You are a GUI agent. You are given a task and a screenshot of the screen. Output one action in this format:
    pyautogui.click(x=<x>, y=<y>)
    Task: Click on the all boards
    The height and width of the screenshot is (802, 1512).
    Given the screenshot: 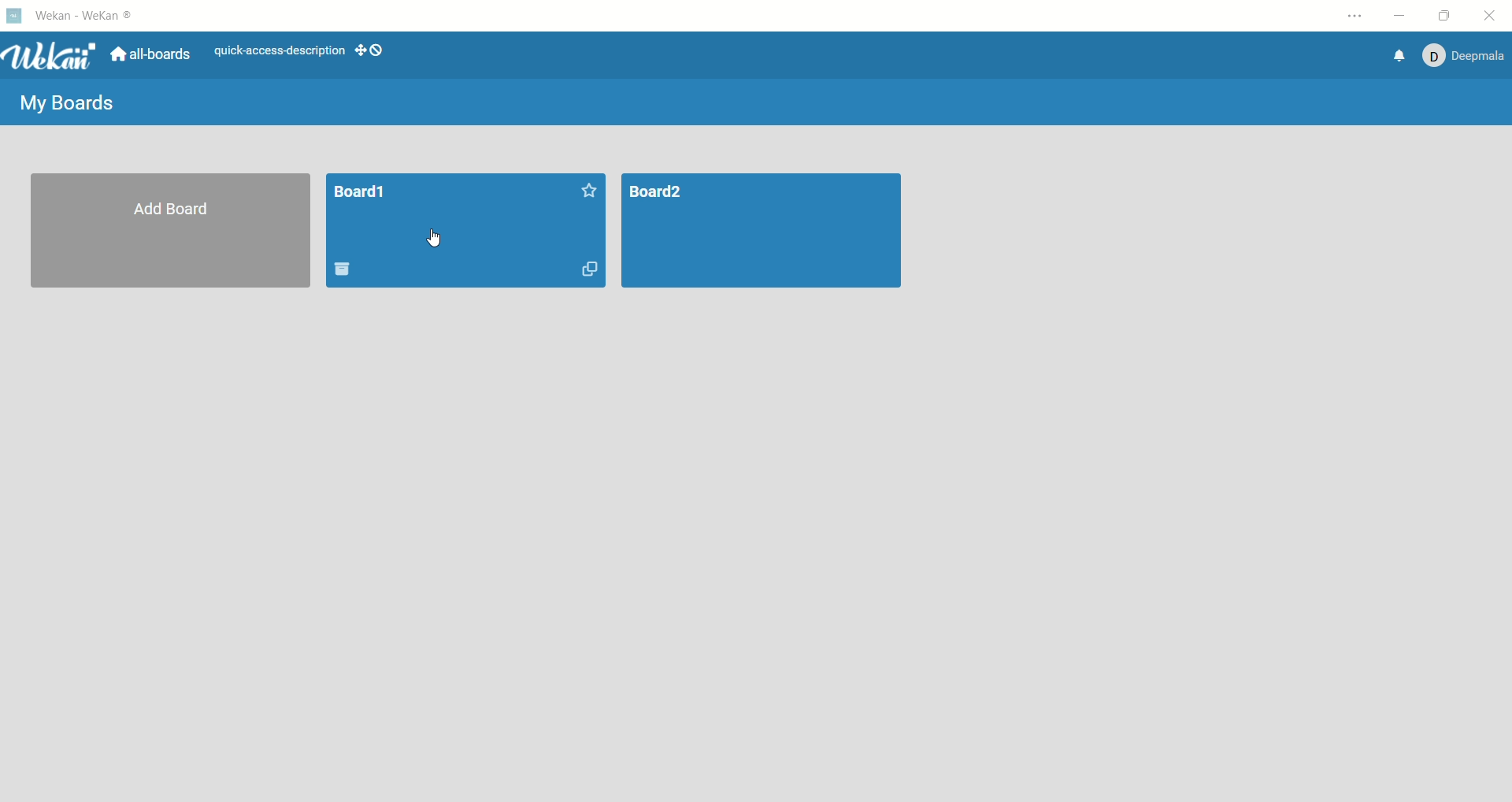 What is the action you would take?
    pyautogui.click(x=150, y=54)
    